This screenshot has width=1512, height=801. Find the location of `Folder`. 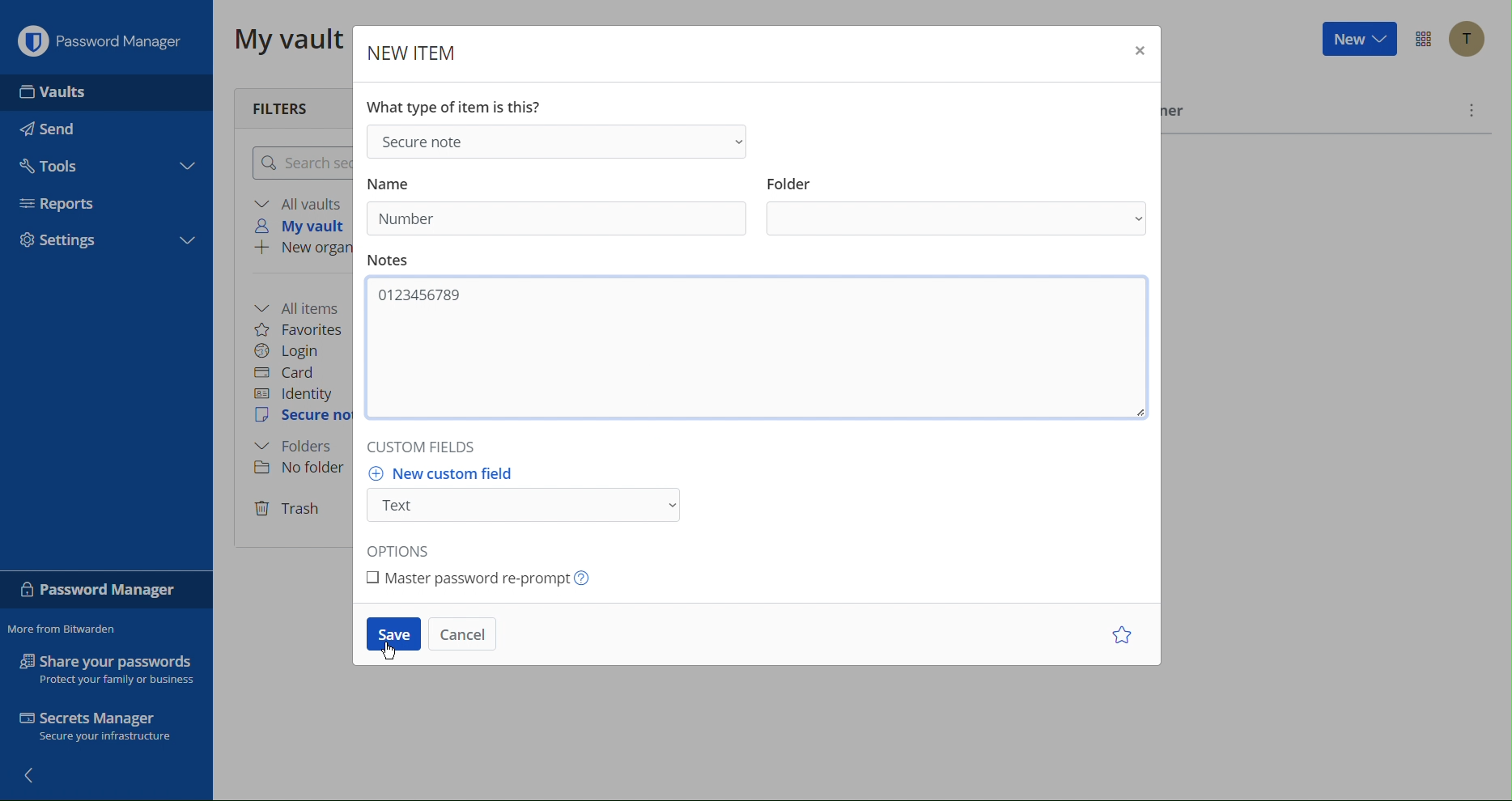

Folder is located at coordinates (300, 447).